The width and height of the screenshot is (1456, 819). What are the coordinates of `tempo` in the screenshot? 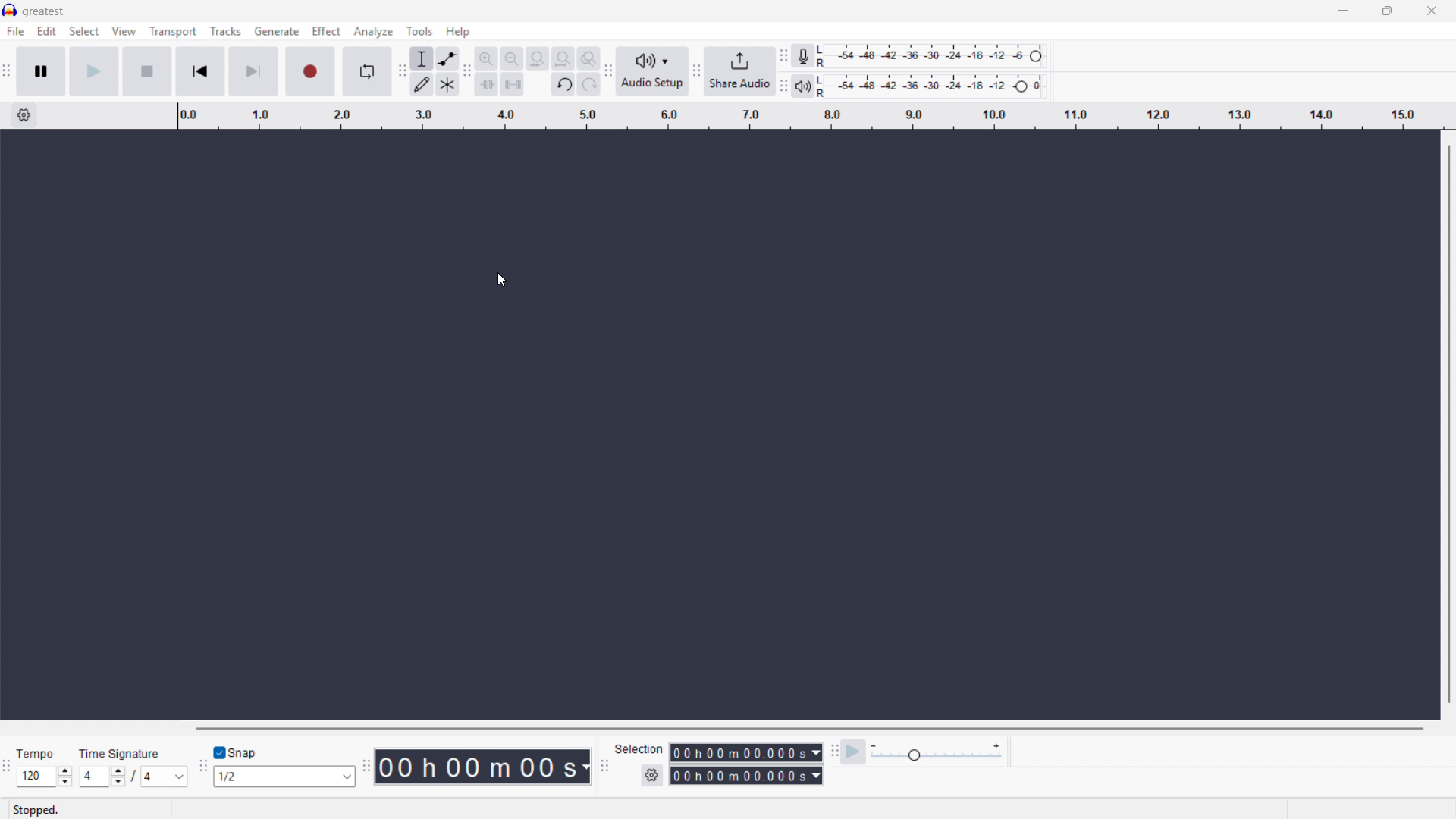 It's located at (36, 754).